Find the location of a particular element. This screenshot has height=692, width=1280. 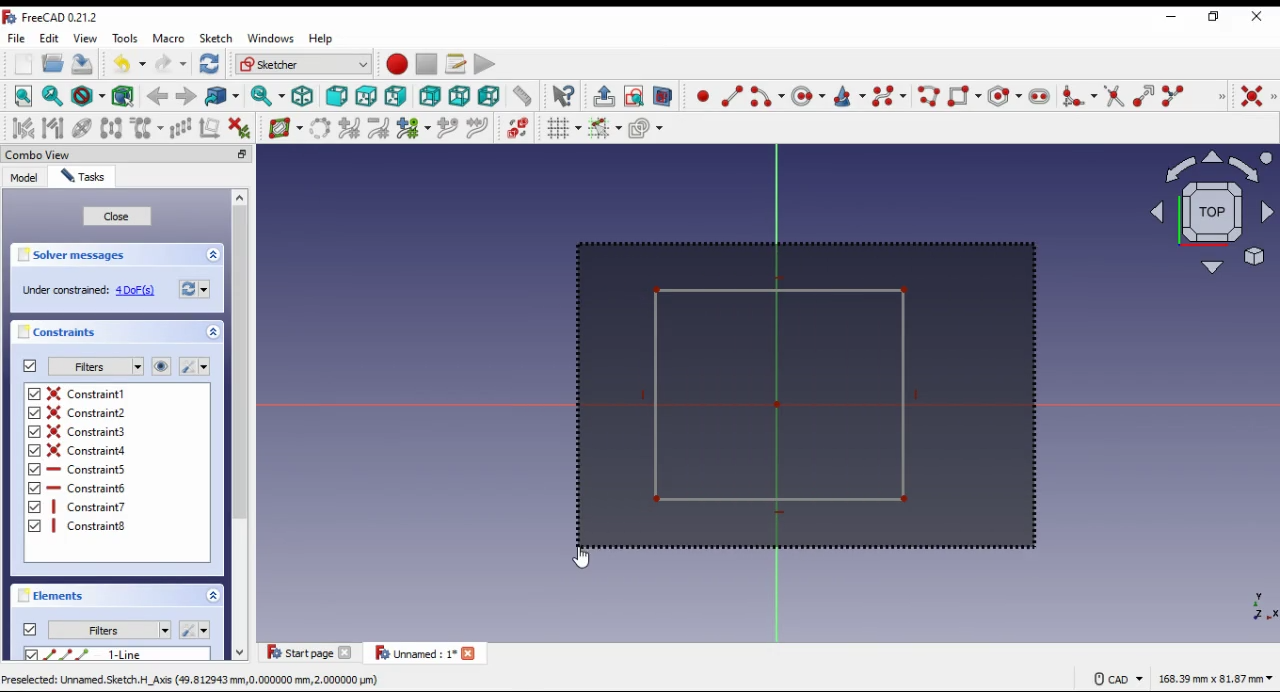

create polyline is located at coordinates (927, 95).